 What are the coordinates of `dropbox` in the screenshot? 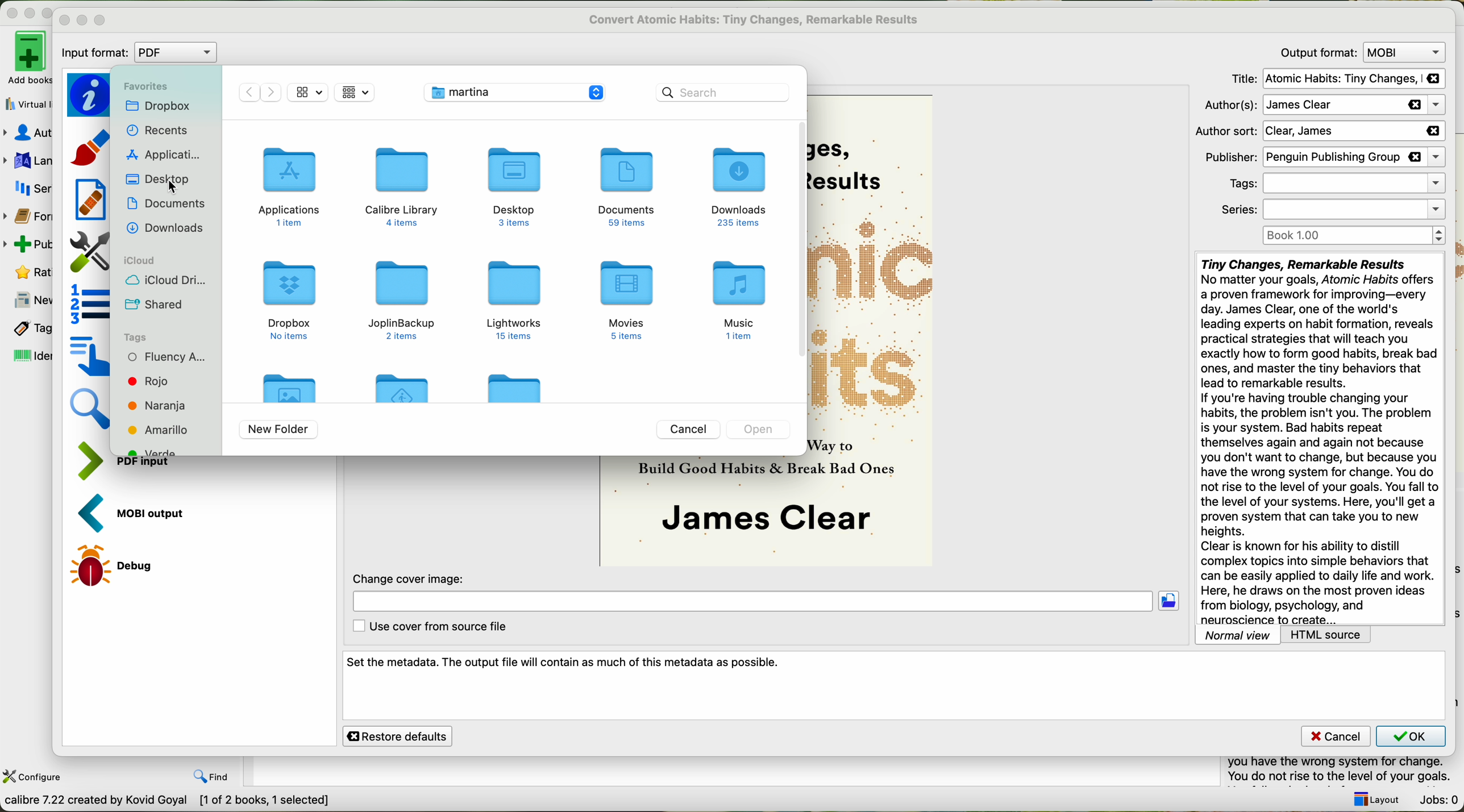 It's located at (157, 106).